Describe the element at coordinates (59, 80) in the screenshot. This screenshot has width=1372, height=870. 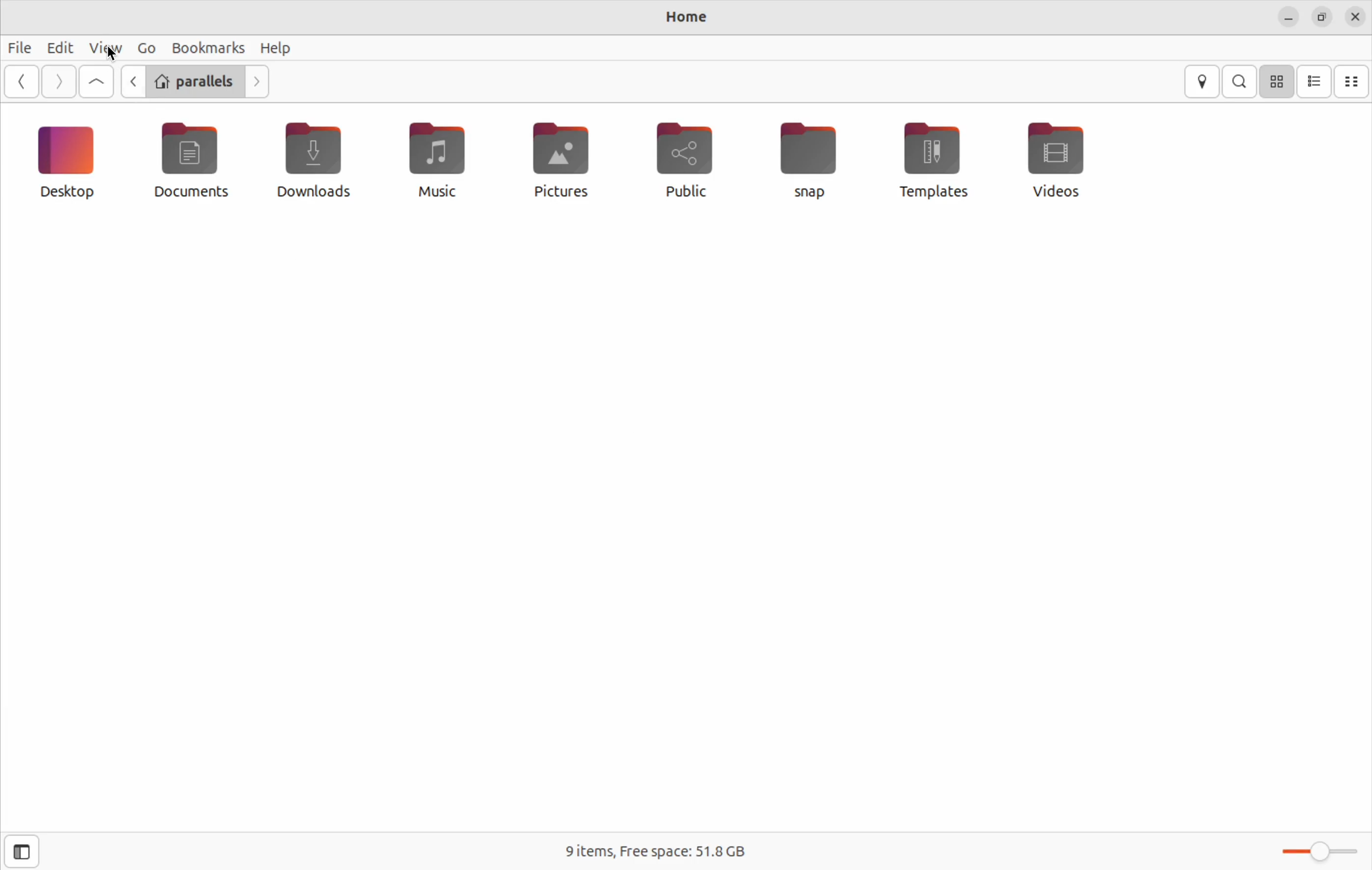
I see `Go next` at that location.